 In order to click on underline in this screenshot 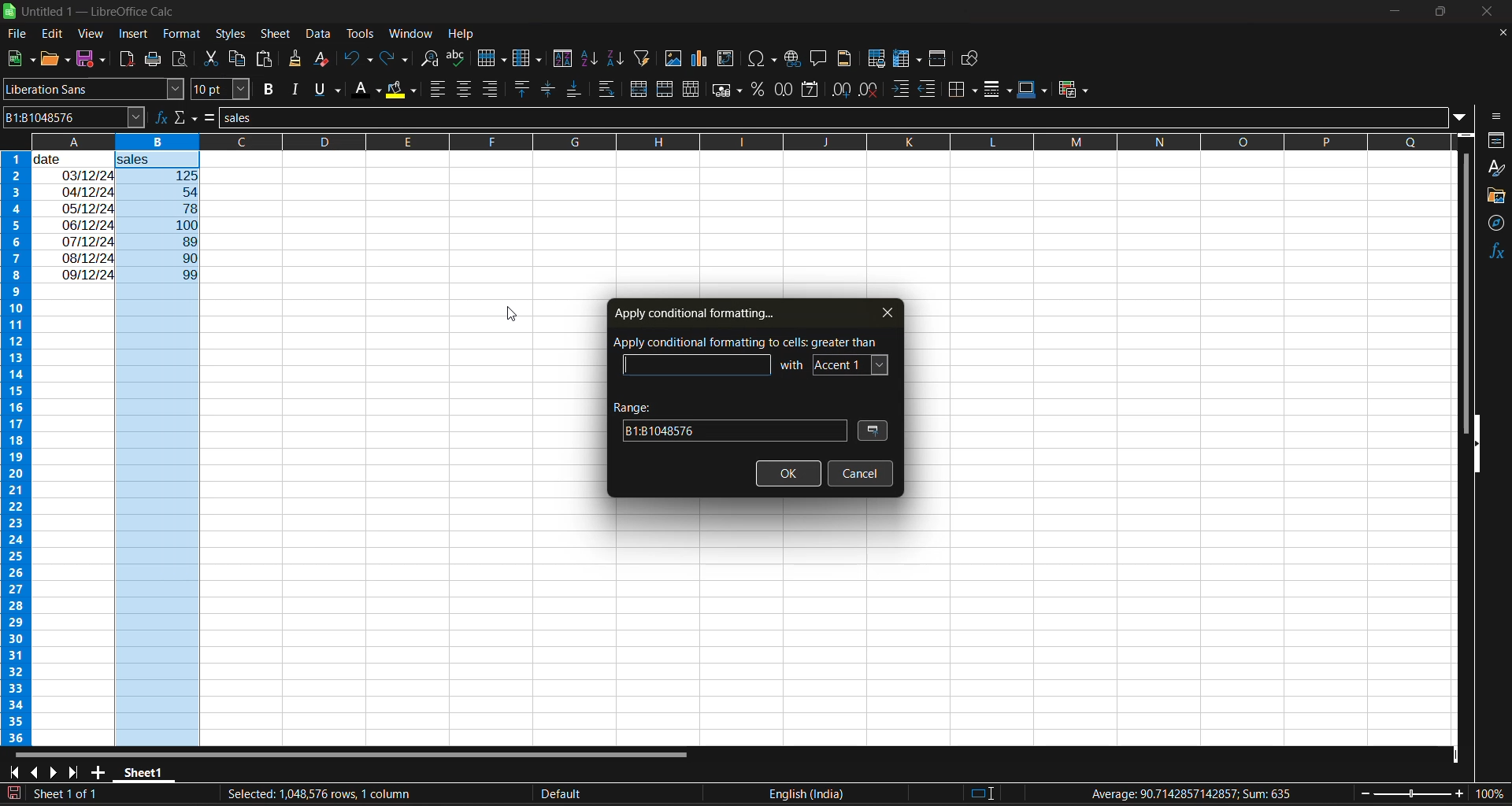, I will do `click(331, 90)`.